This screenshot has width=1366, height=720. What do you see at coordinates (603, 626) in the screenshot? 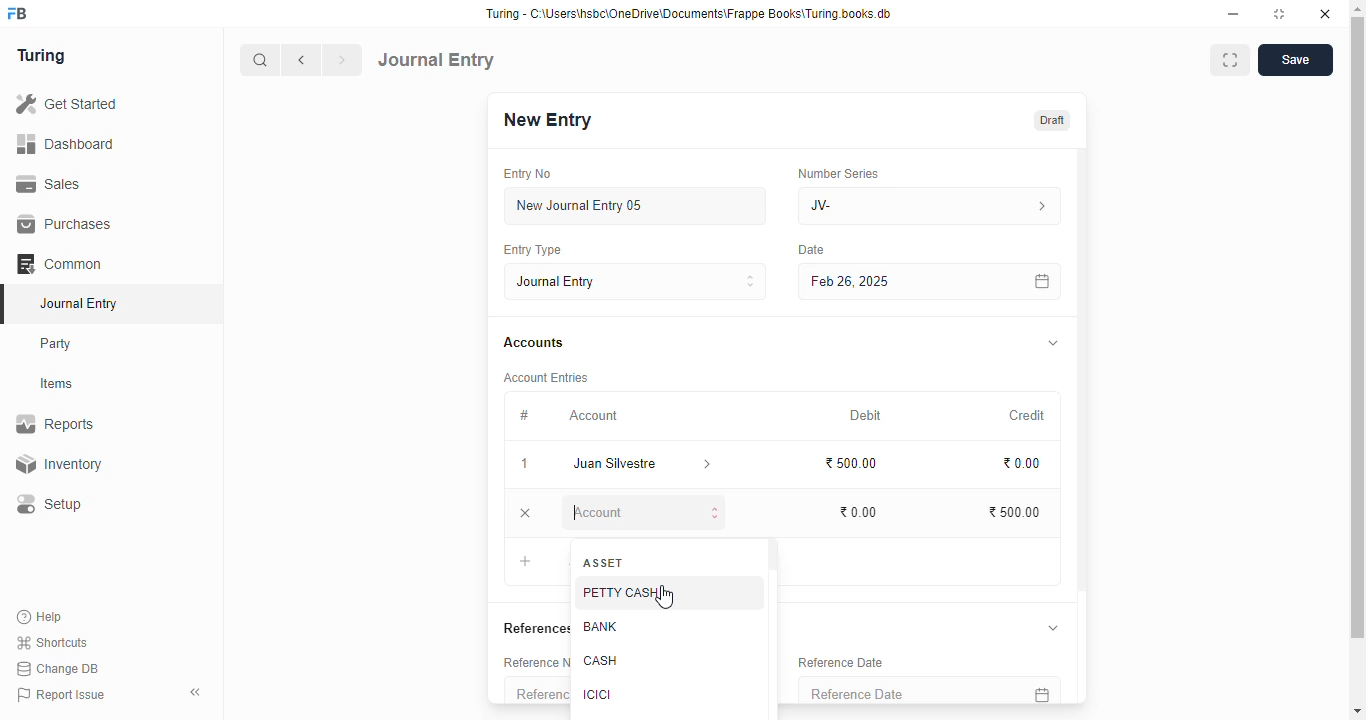
I see `bank` at bounding box center [603, 626].